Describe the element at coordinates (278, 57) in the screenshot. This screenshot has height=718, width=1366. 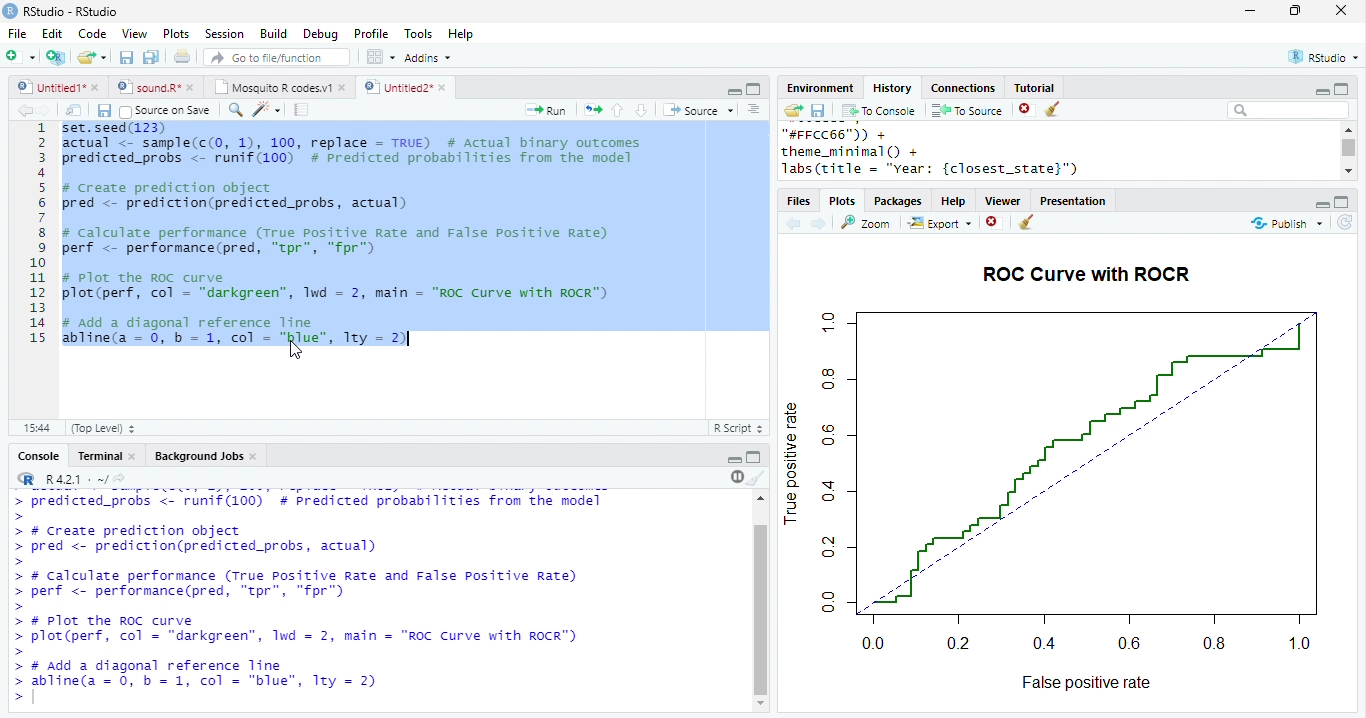
I see `search file` at that location.